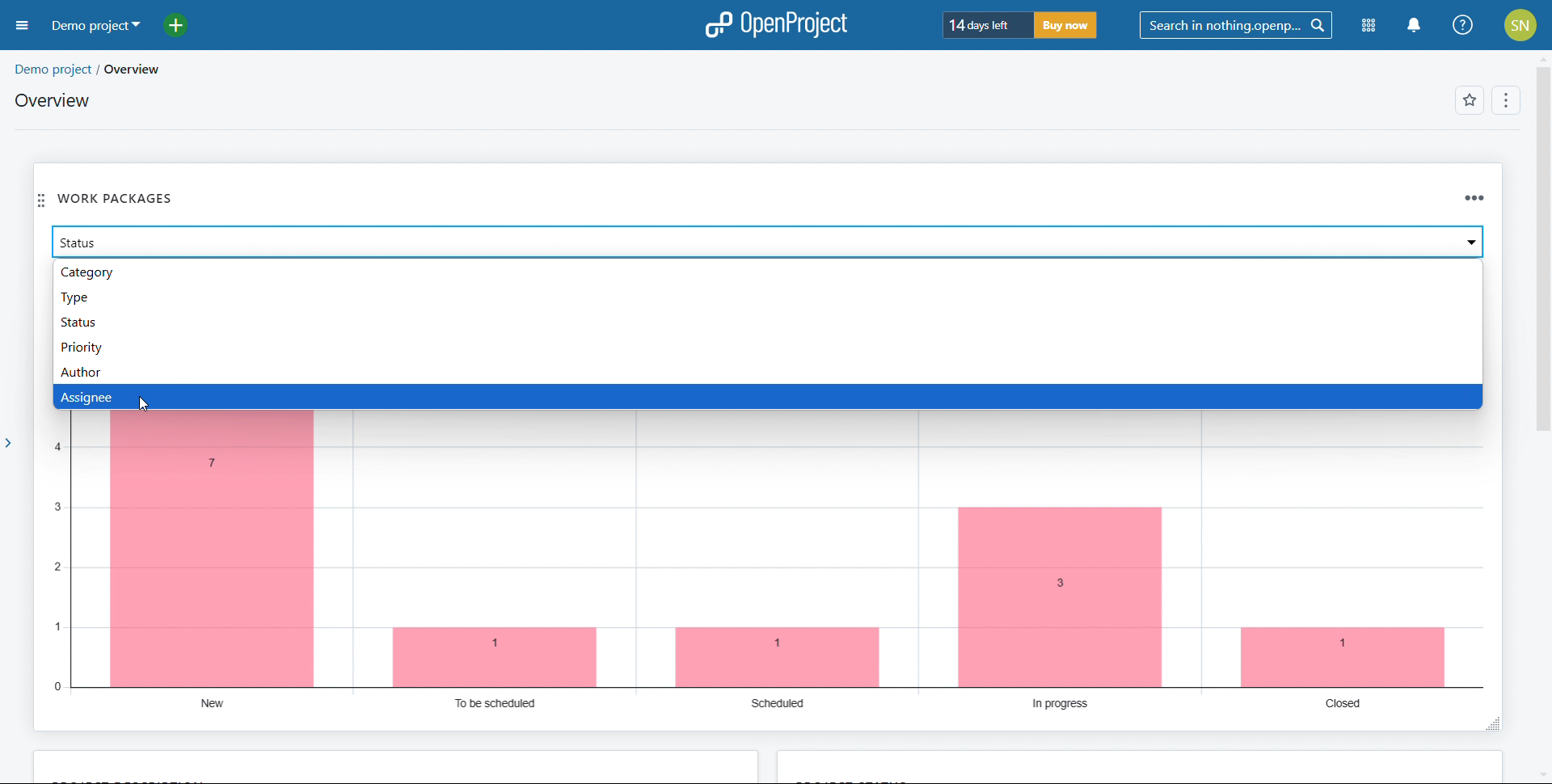 Image resolution: width=1552 pixels, height=784 pixels. Describe the element at coordinates (1542, 57) in the screenshot. I see `scroll up` at that location.